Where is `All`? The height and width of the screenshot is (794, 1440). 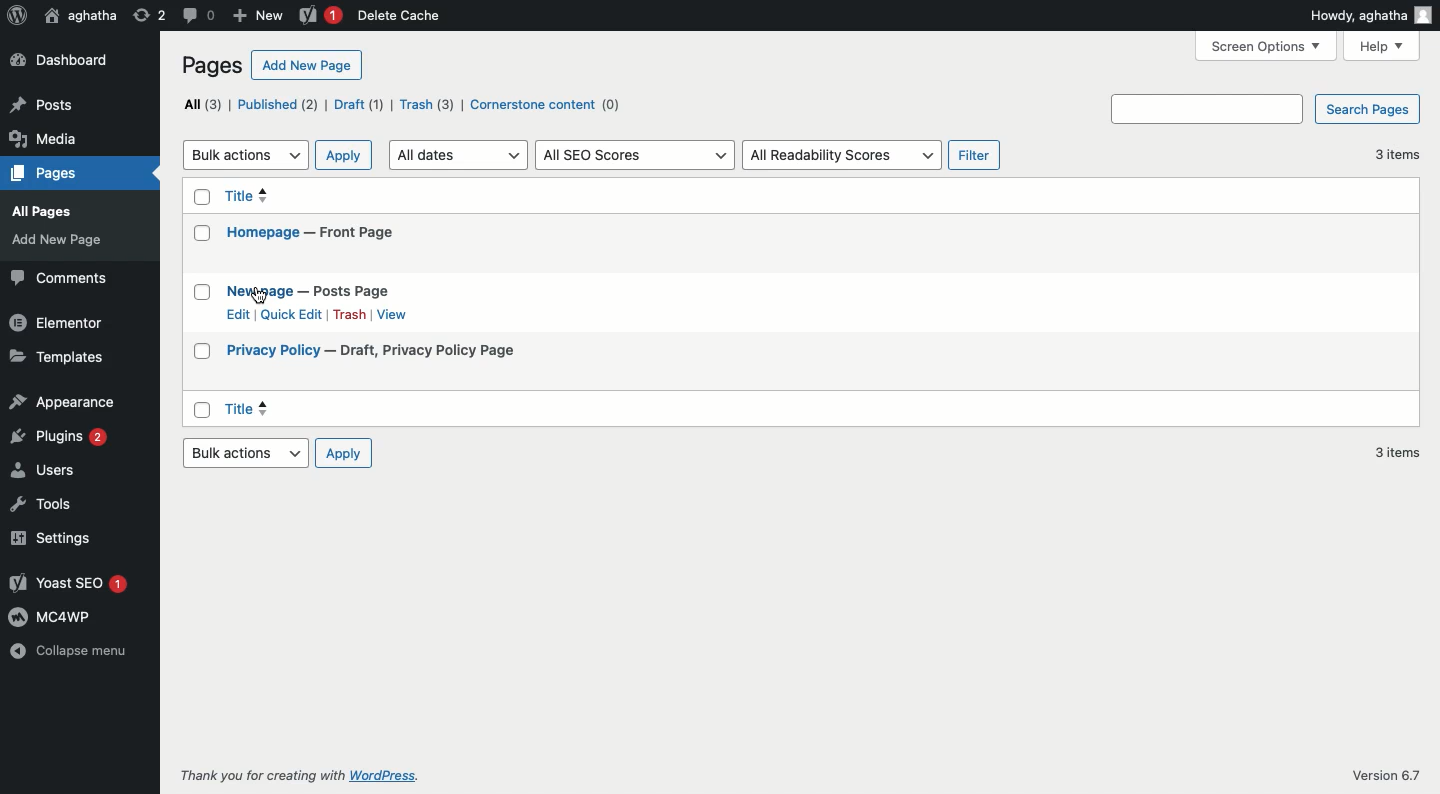 All is located at coordinates (200, 104).